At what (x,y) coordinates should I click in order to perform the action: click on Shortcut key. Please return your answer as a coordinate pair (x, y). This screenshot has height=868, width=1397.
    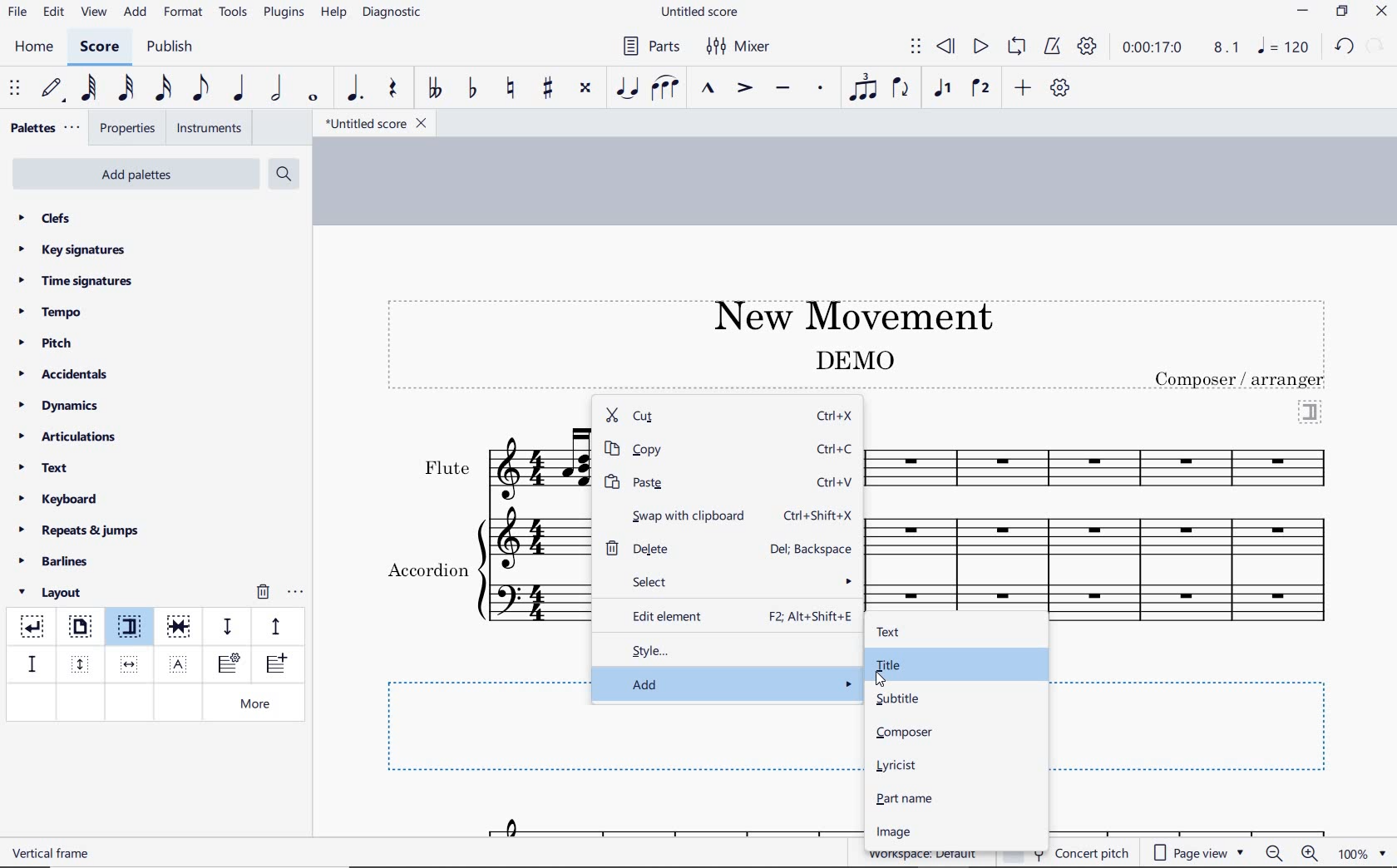
    Looking at the image, I should click on (837, 481).